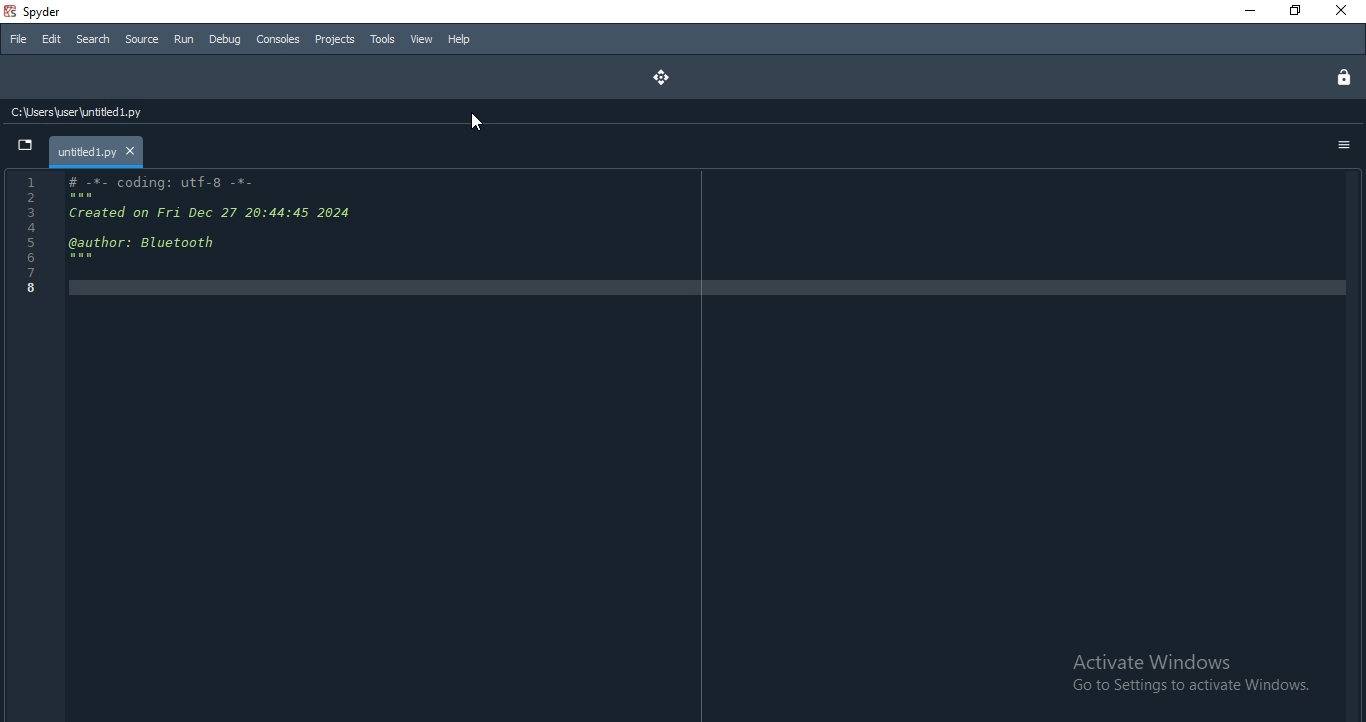 The height and width of the screenshot is (722, 1366). Describe the element at coordinates (478, 121) in the screenshot. I see `cursor` at that location.